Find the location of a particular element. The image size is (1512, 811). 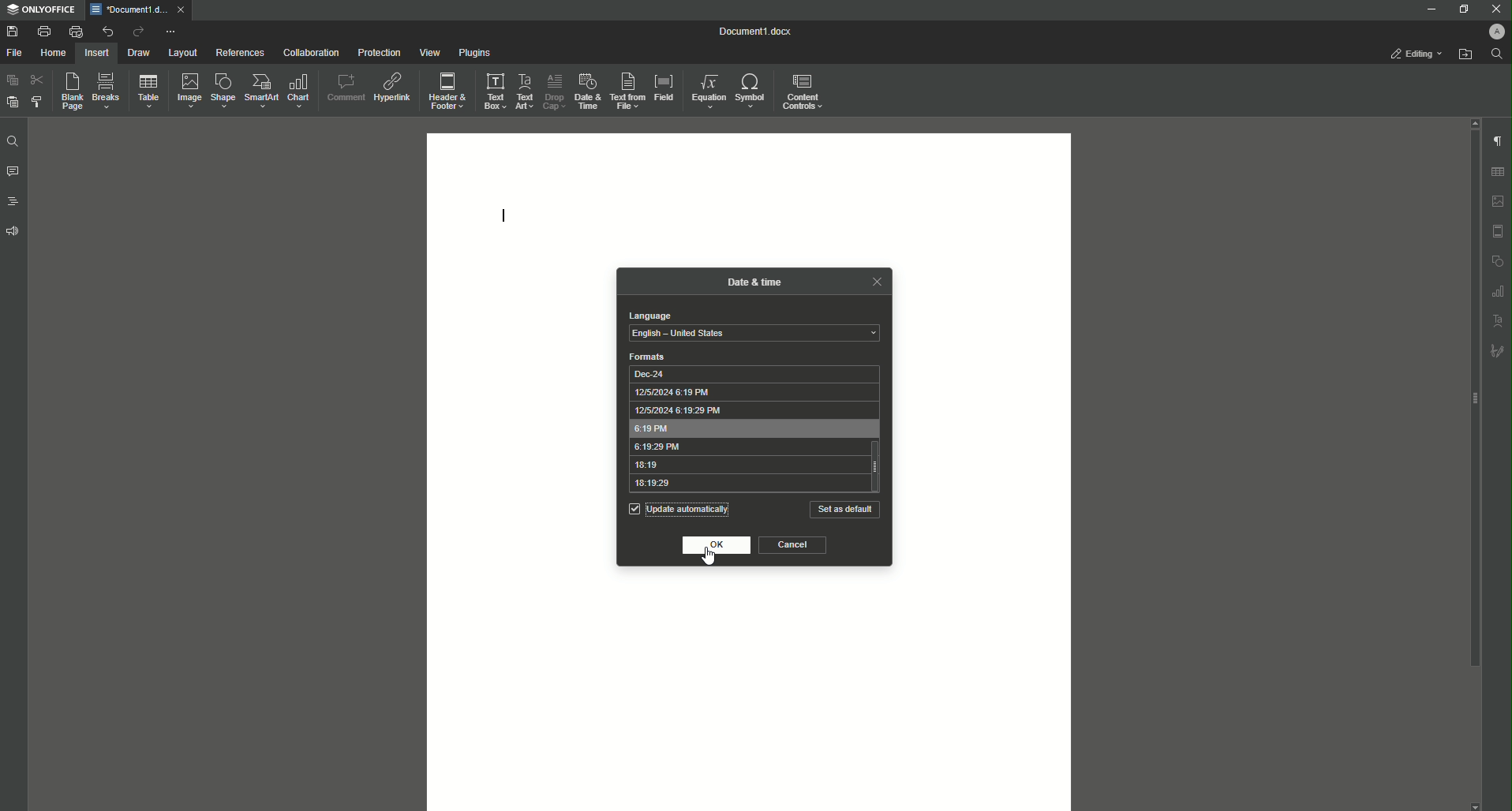

Choose Style is located at coordinates (37, 102).